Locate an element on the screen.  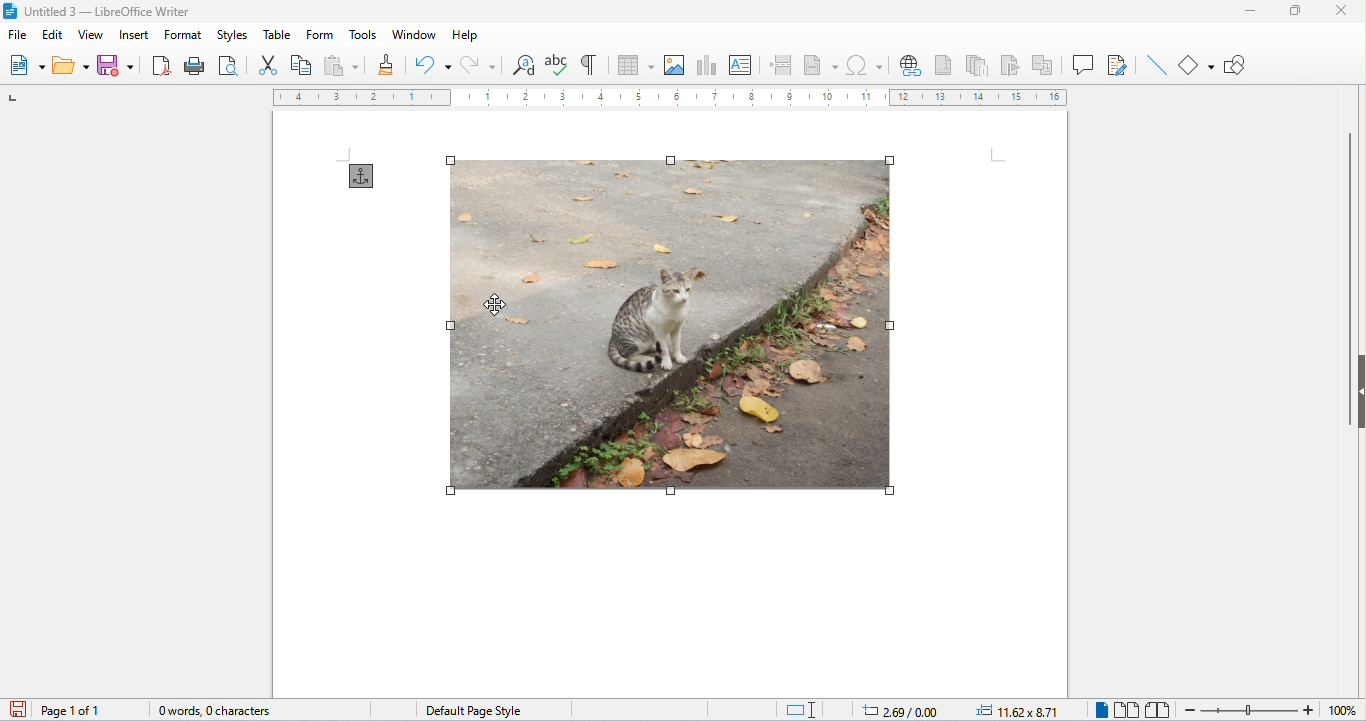
title is located at coordinates (102, 11).